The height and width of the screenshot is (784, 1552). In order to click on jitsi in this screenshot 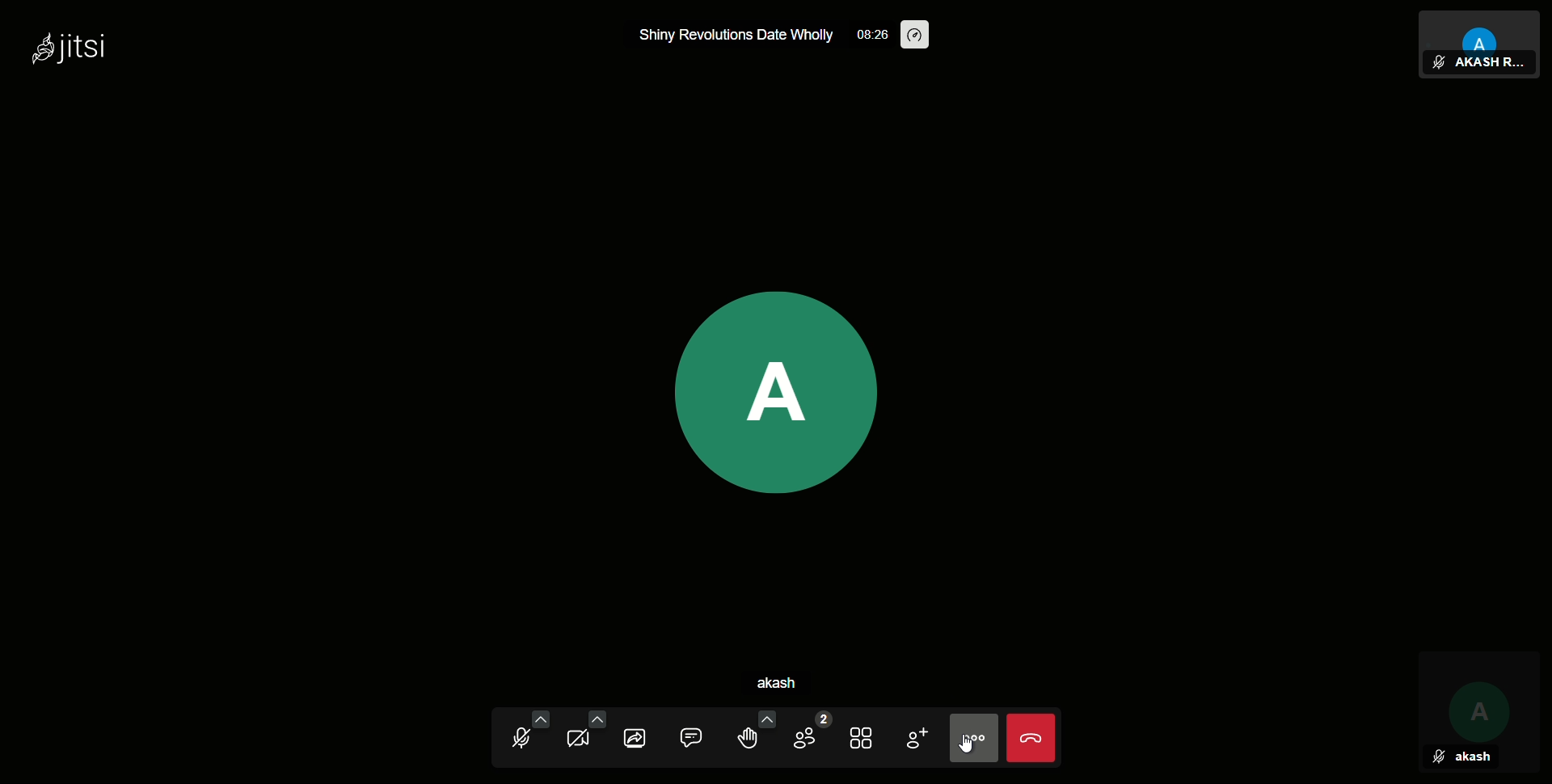, I will do `click(69, 51)`.